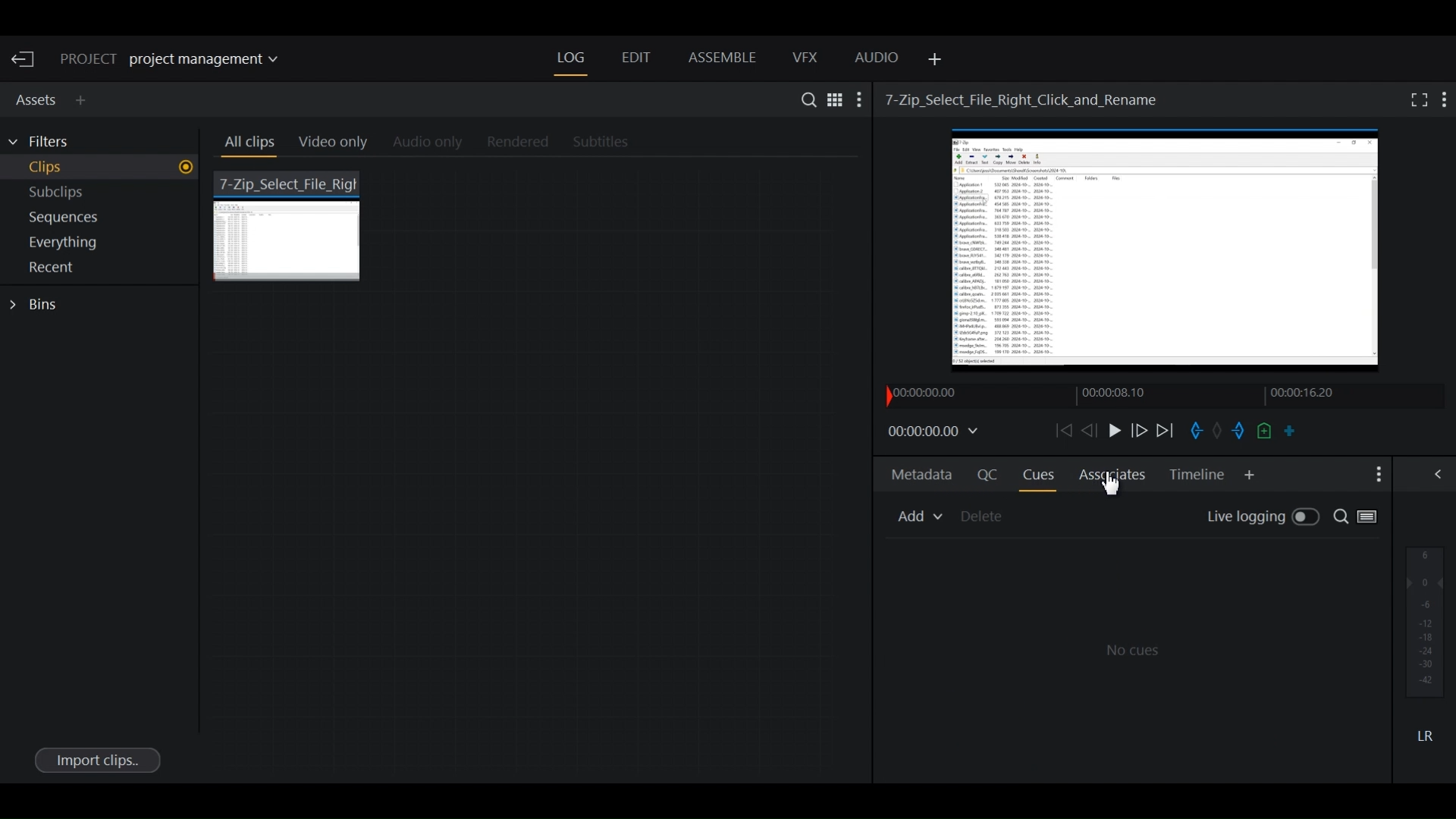 Image resolution: width=1456 pixels, height=819 pixels. Describe the element at coordinates (1141, 430) in the screenshot. I see `Nudge frame forward` at that location.